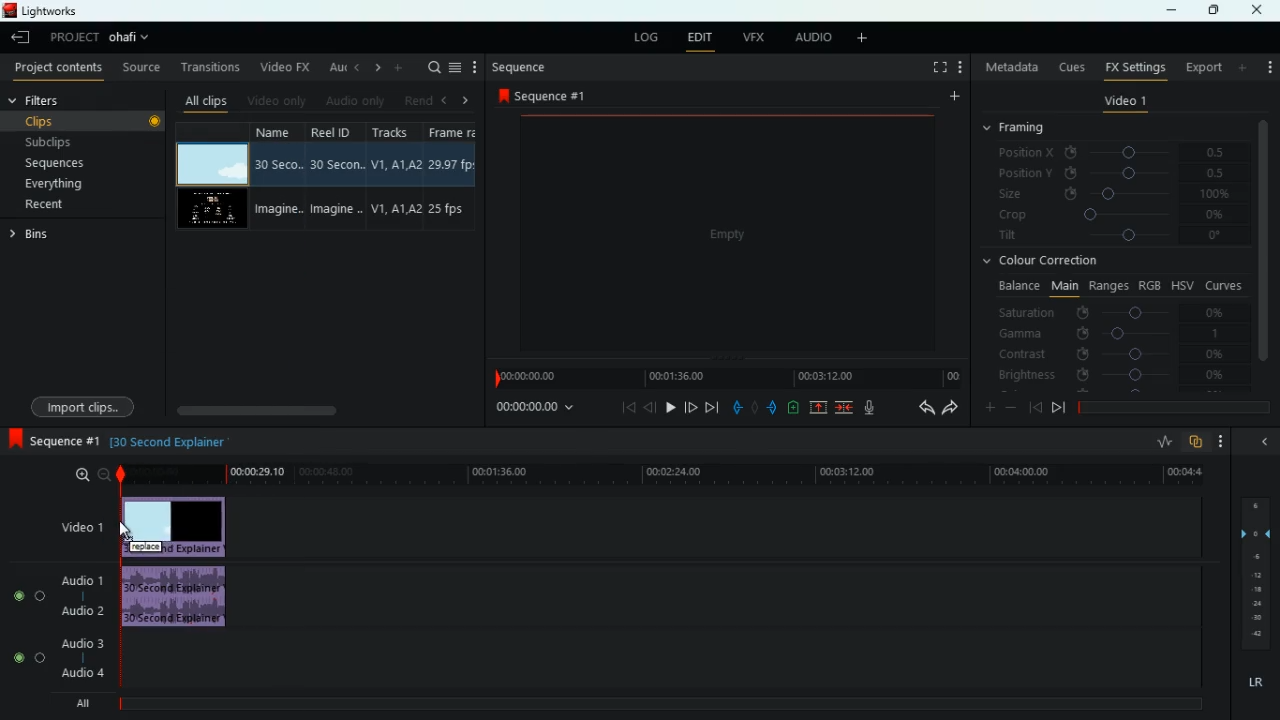 This screenshot has height=720, width=1280. What do you see at coordinates (1009, 69) in the screenshot?
I see `metadata` at bounding box center [1009, 69].